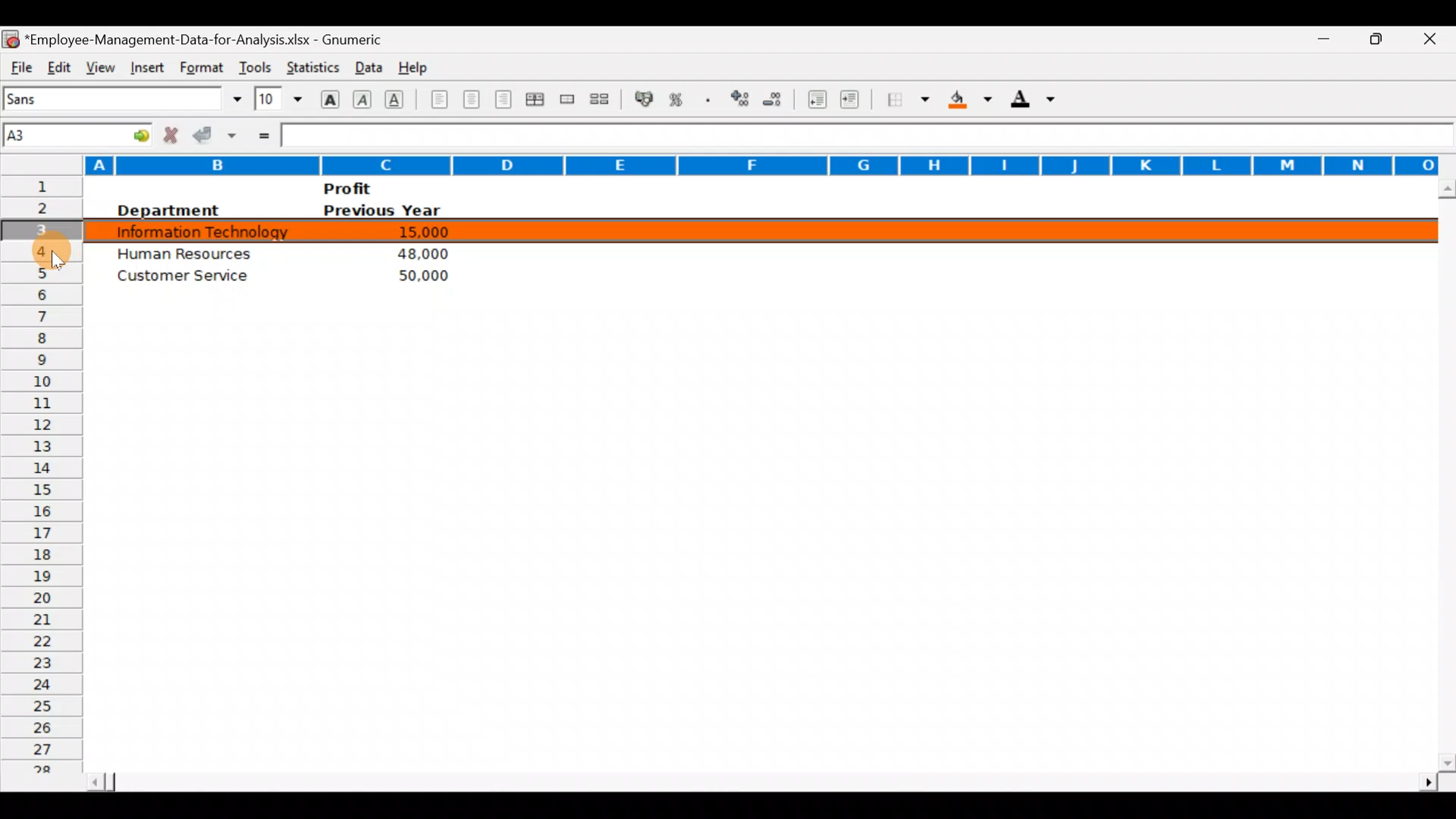  I want to click on Decrease decimals, so click(779, 99).